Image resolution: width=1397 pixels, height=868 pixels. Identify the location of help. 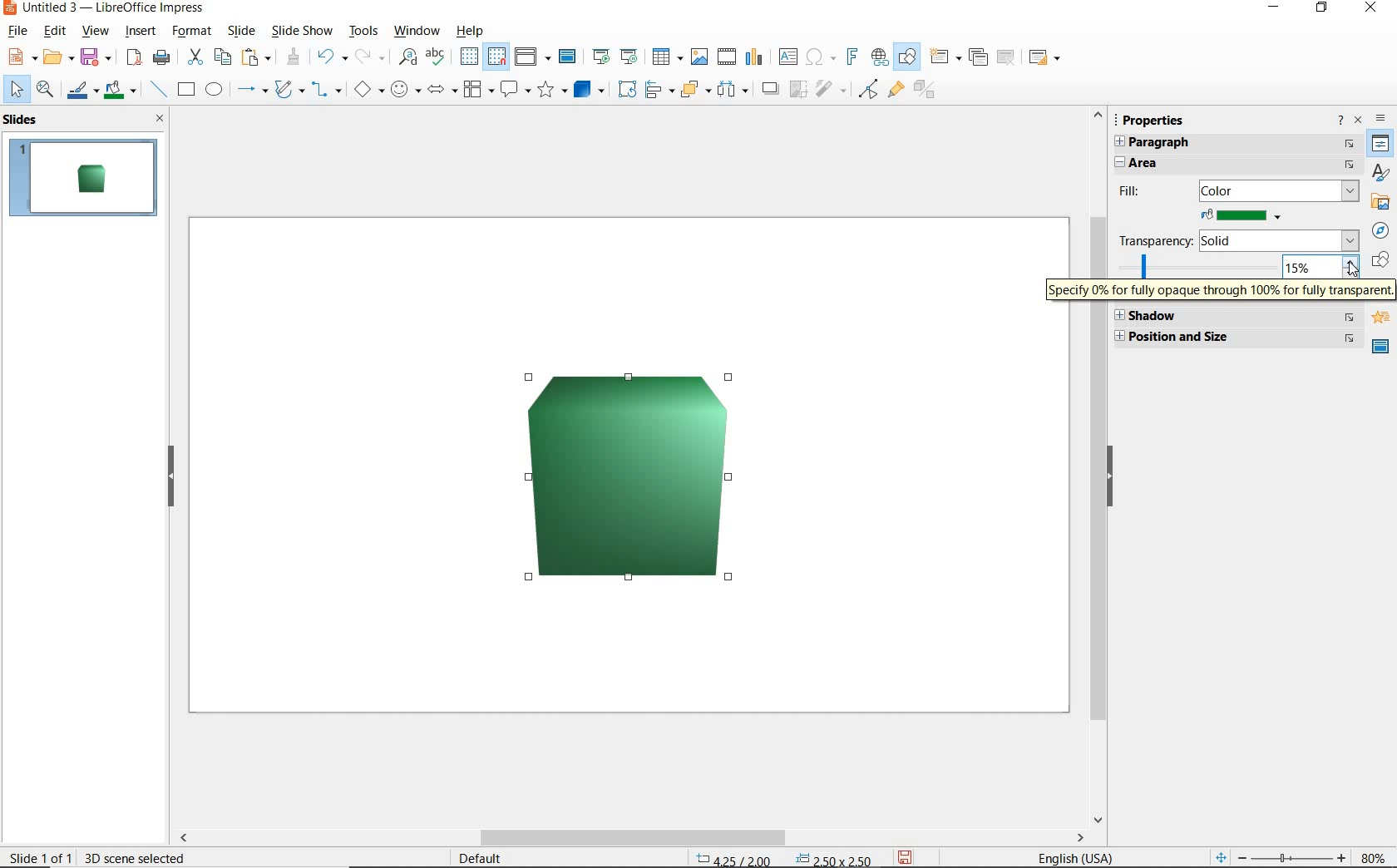
(473, 32).